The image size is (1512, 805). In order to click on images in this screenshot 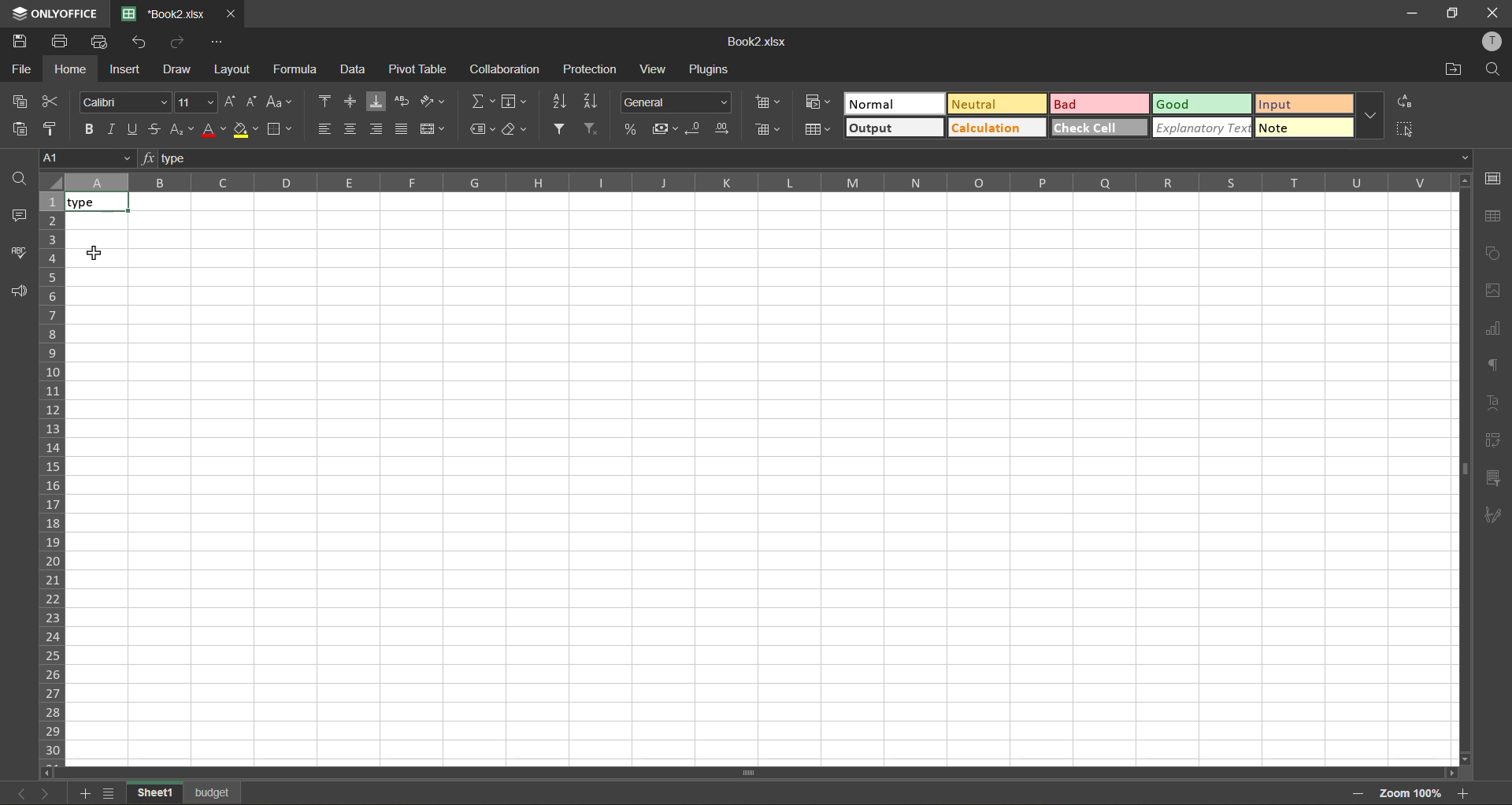, I will do `click(1498, 295)`.